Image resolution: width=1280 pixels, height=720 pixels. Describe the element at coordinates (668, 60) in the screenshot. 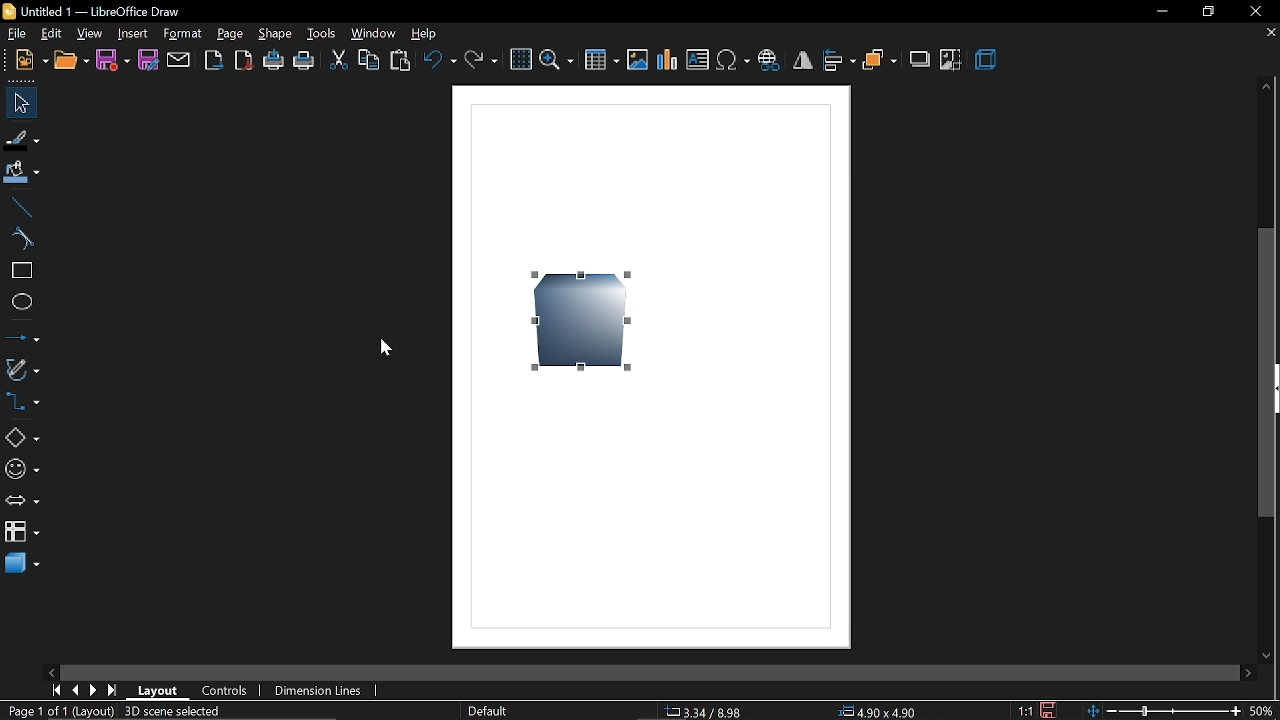

I see `insert chart` at that location.